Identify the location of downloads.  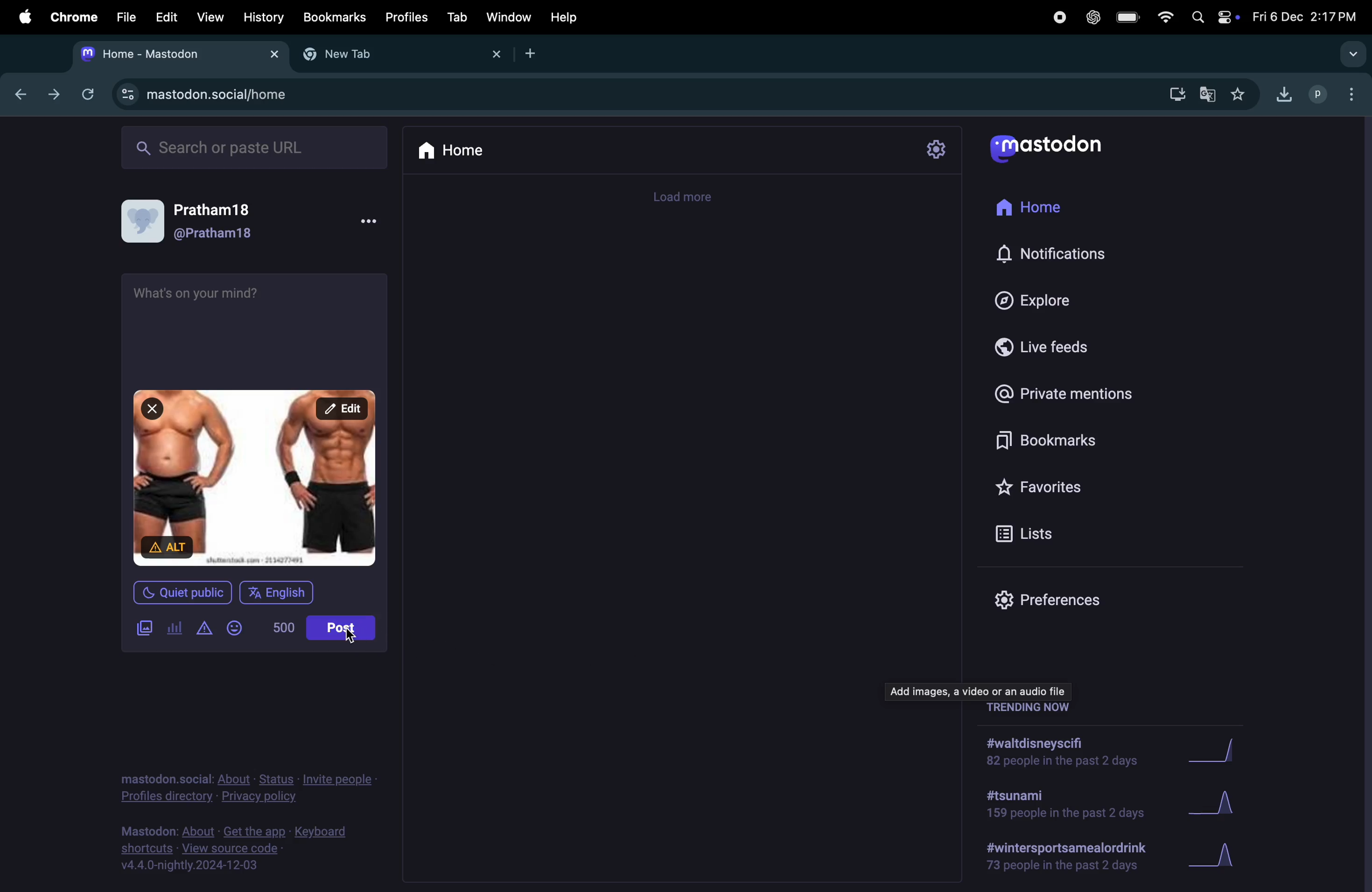
(1175, 92).